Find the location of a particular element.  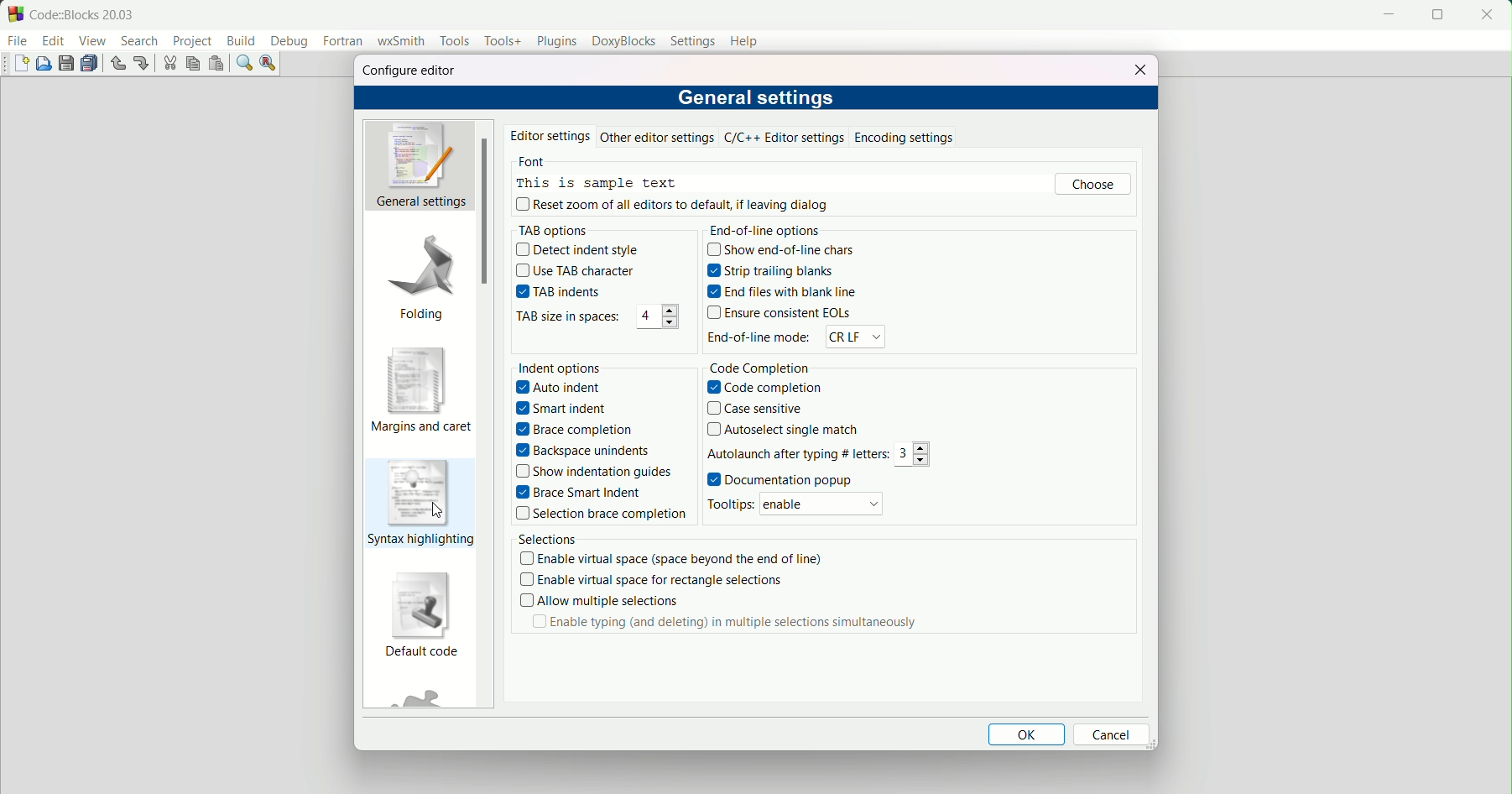

documentation popup is located at coordinates (779, 478).